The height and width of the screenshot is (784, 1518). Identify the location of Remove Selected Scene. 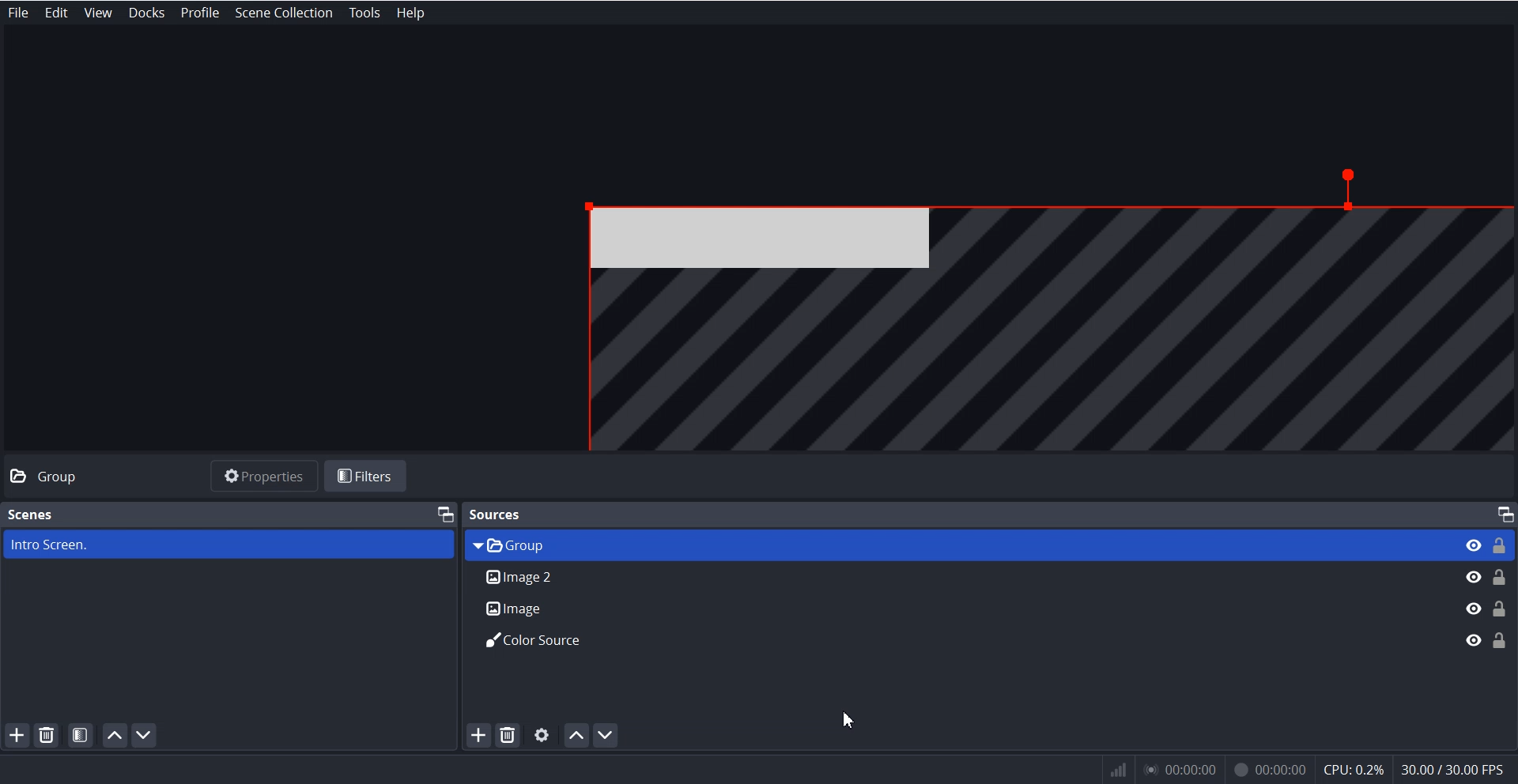
(48, 735).